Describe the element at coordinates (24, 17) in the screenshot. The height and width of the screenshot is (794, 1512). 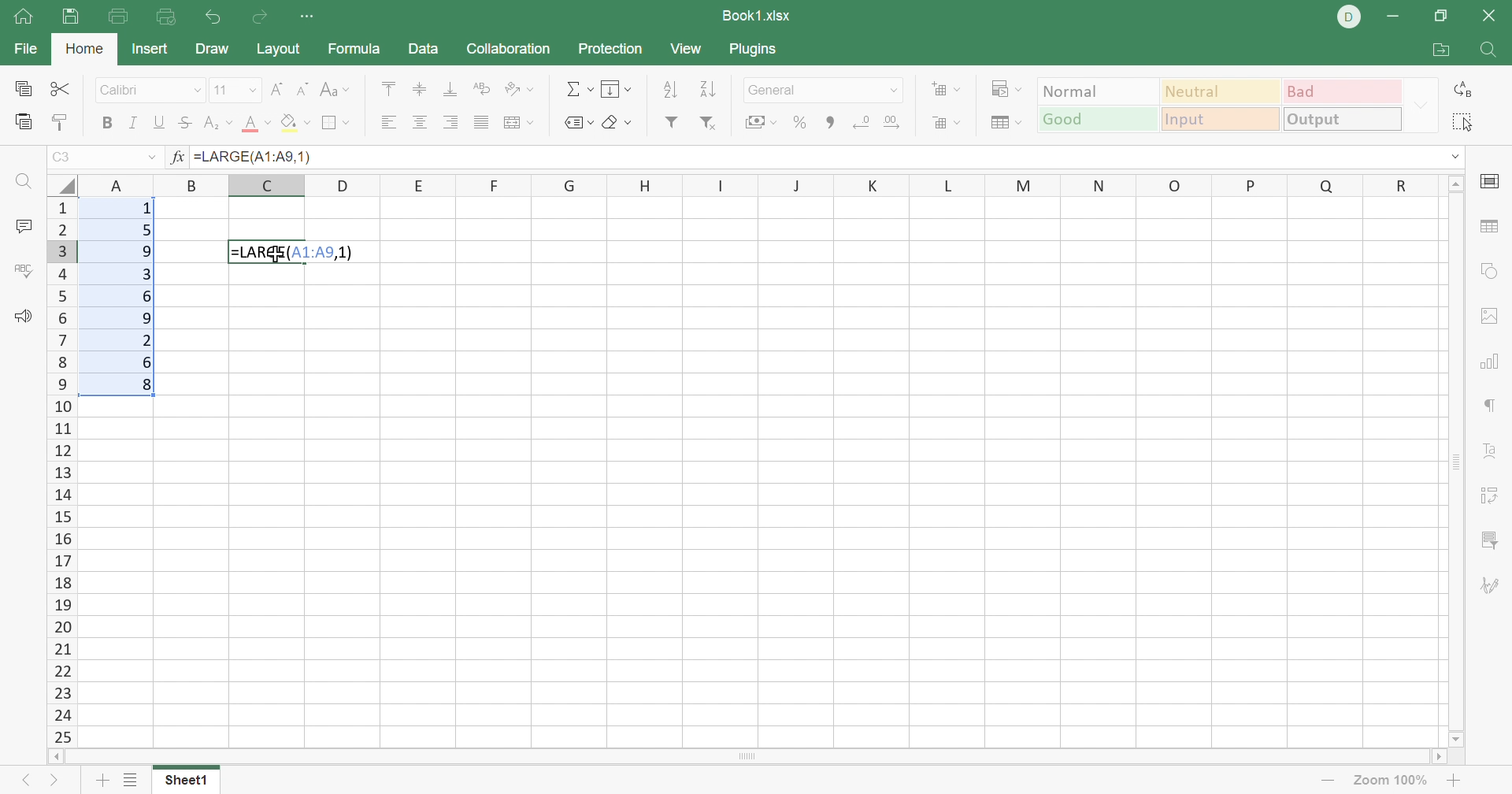
I see `Home` at that location.